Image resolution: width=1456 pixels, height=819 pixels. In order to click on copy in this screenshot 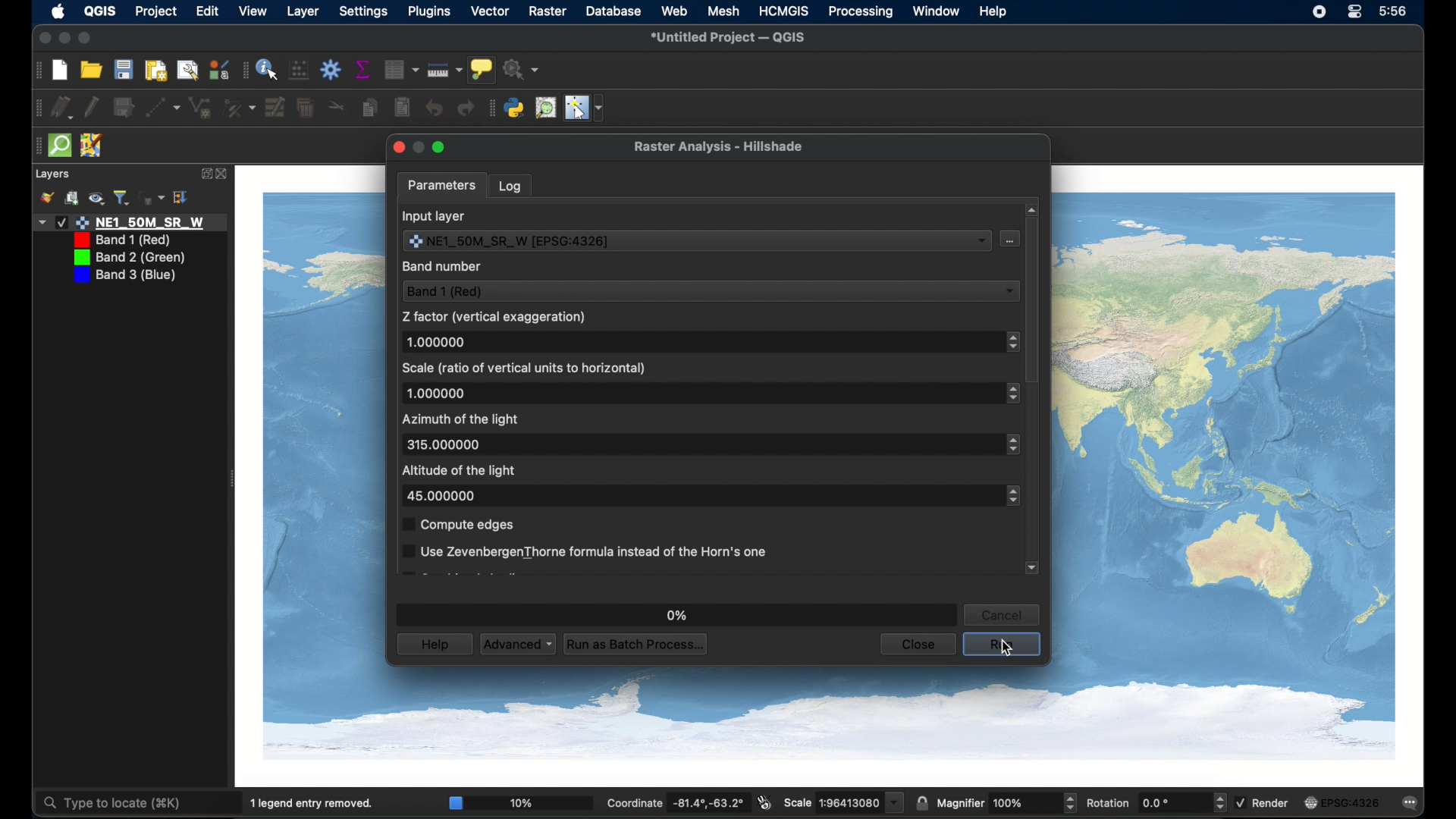, I will do `click(369, 108)`.